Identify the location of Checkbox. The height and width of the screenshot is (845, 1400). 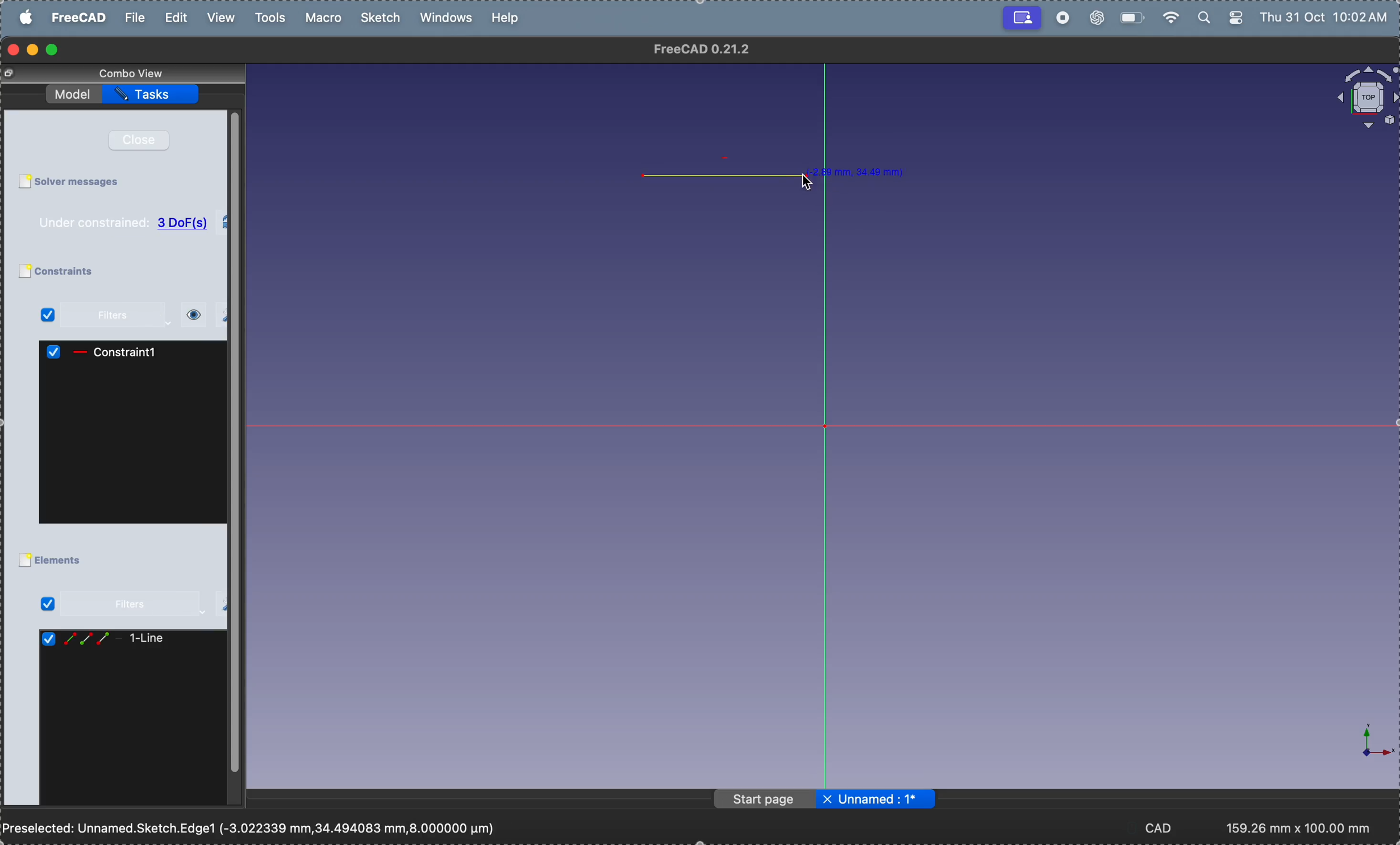
(23, 272).